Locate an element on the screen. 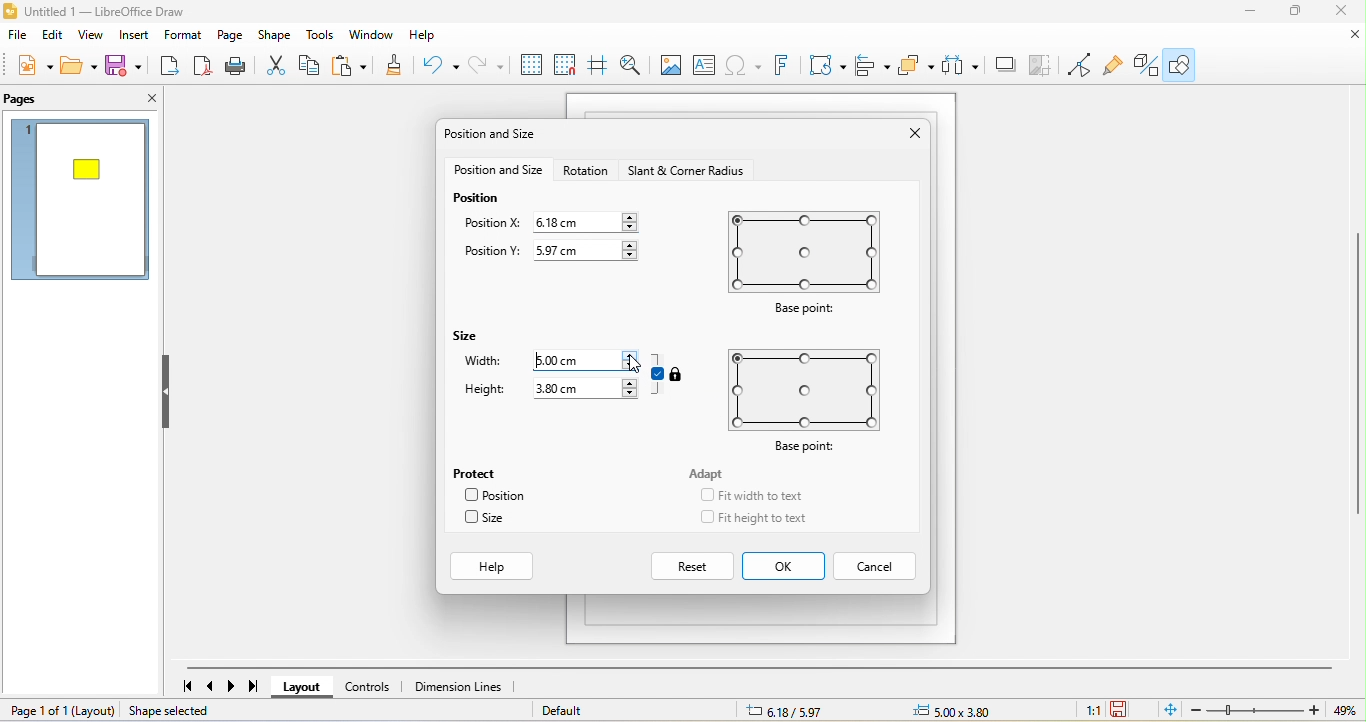 The image size is (1366, 722). undo is located at coordinates (437, 65).